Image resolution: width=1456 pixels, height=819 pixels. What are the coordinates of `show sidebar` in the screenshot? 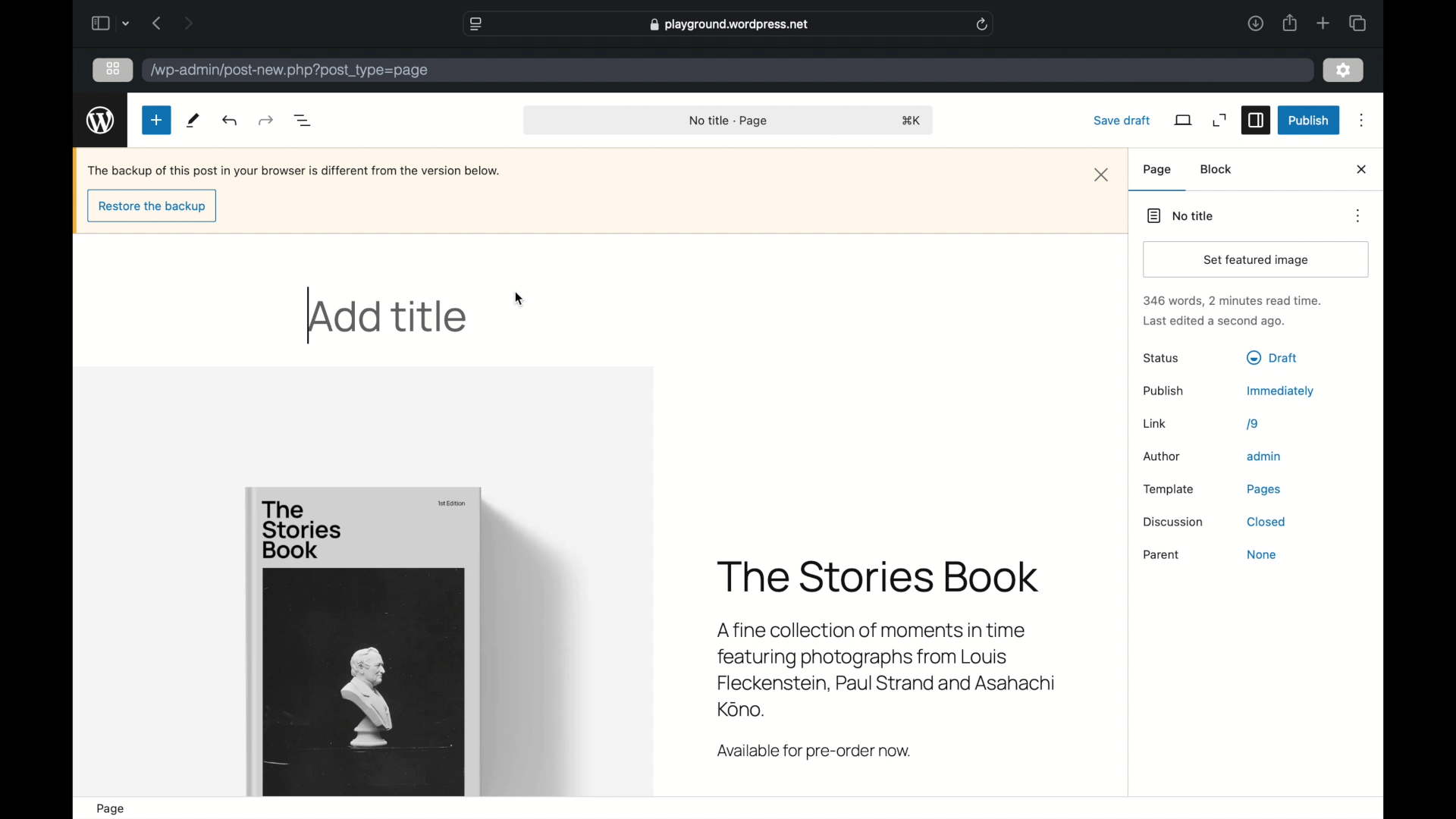 It's located at (100, 23).